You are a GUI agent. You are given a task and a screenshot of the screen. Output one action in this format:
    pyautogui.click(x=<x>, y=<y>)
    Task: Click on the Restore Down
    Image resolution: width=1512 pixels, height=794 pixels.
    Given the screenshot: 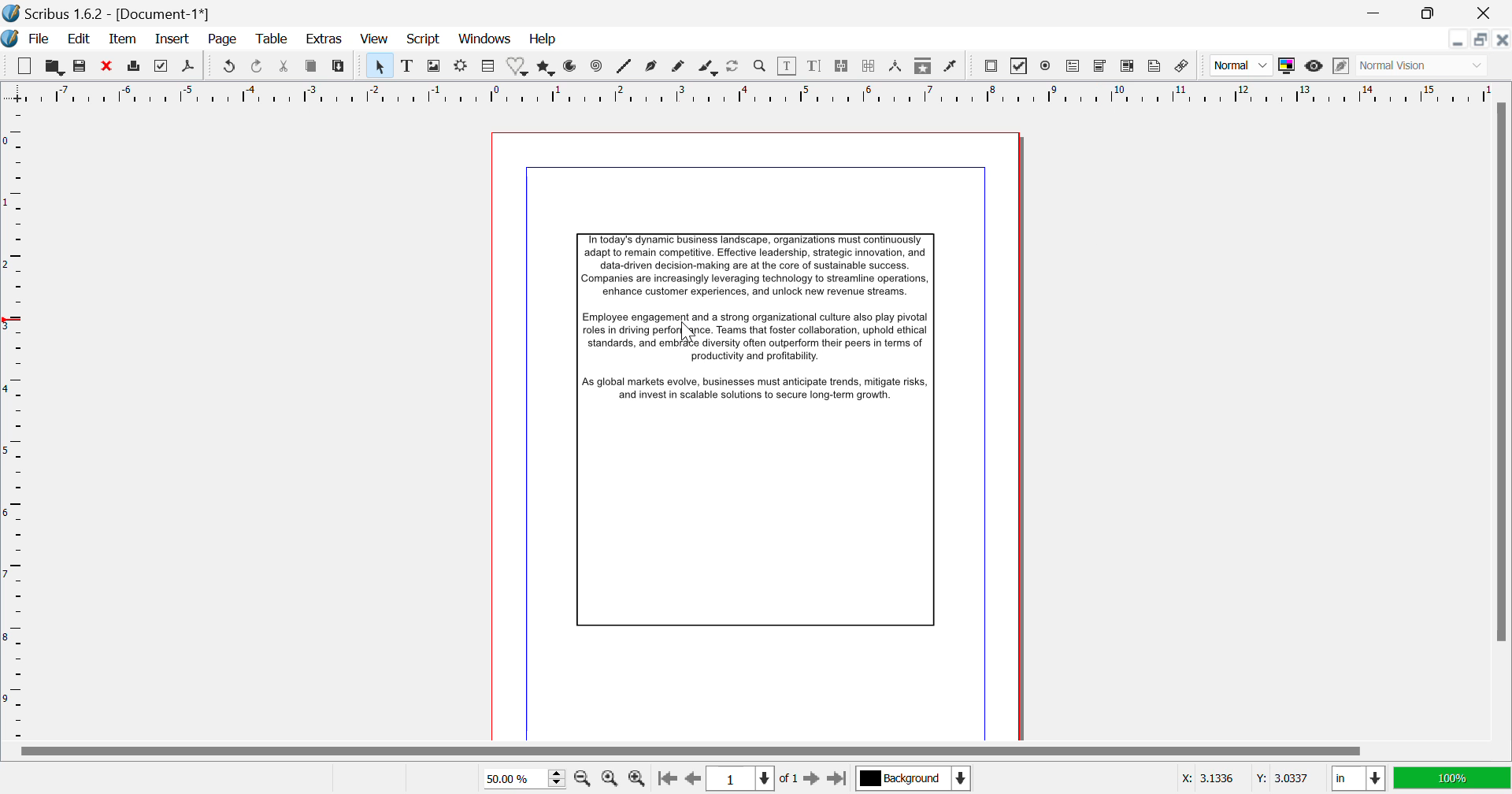 What is the action you would take?
    pyautogui.click(x=1379, y=12)
    